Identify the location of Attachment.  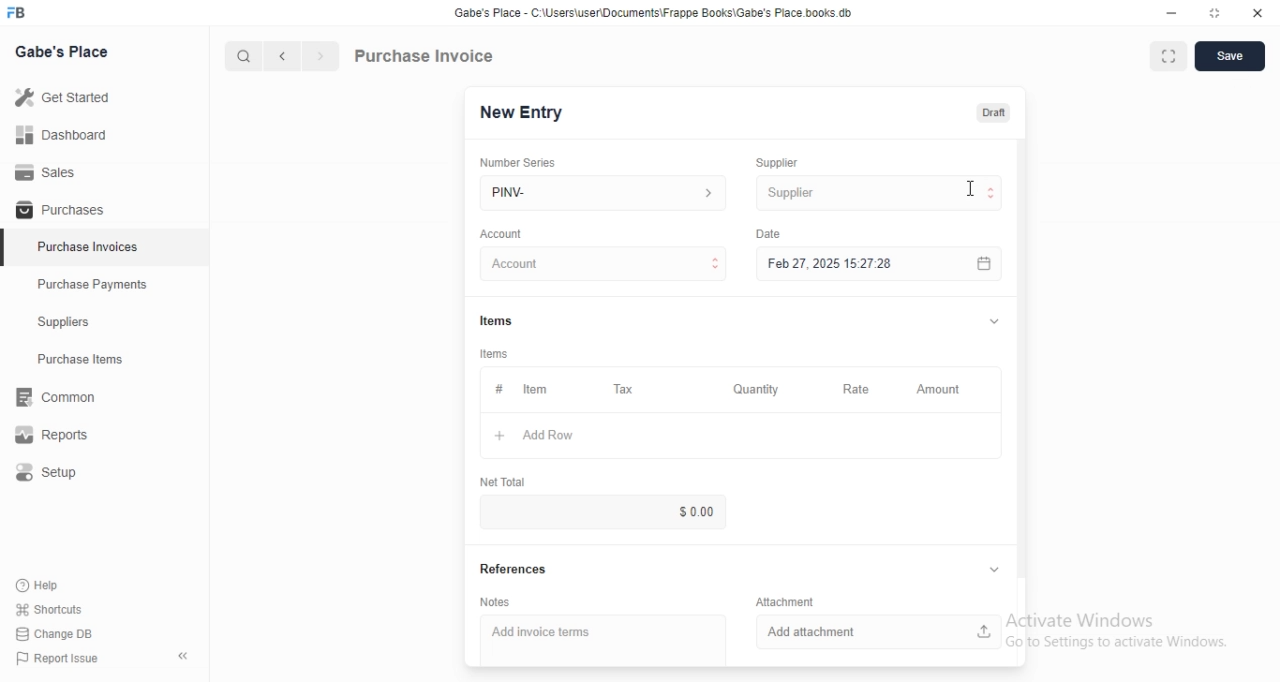
(785, 601).